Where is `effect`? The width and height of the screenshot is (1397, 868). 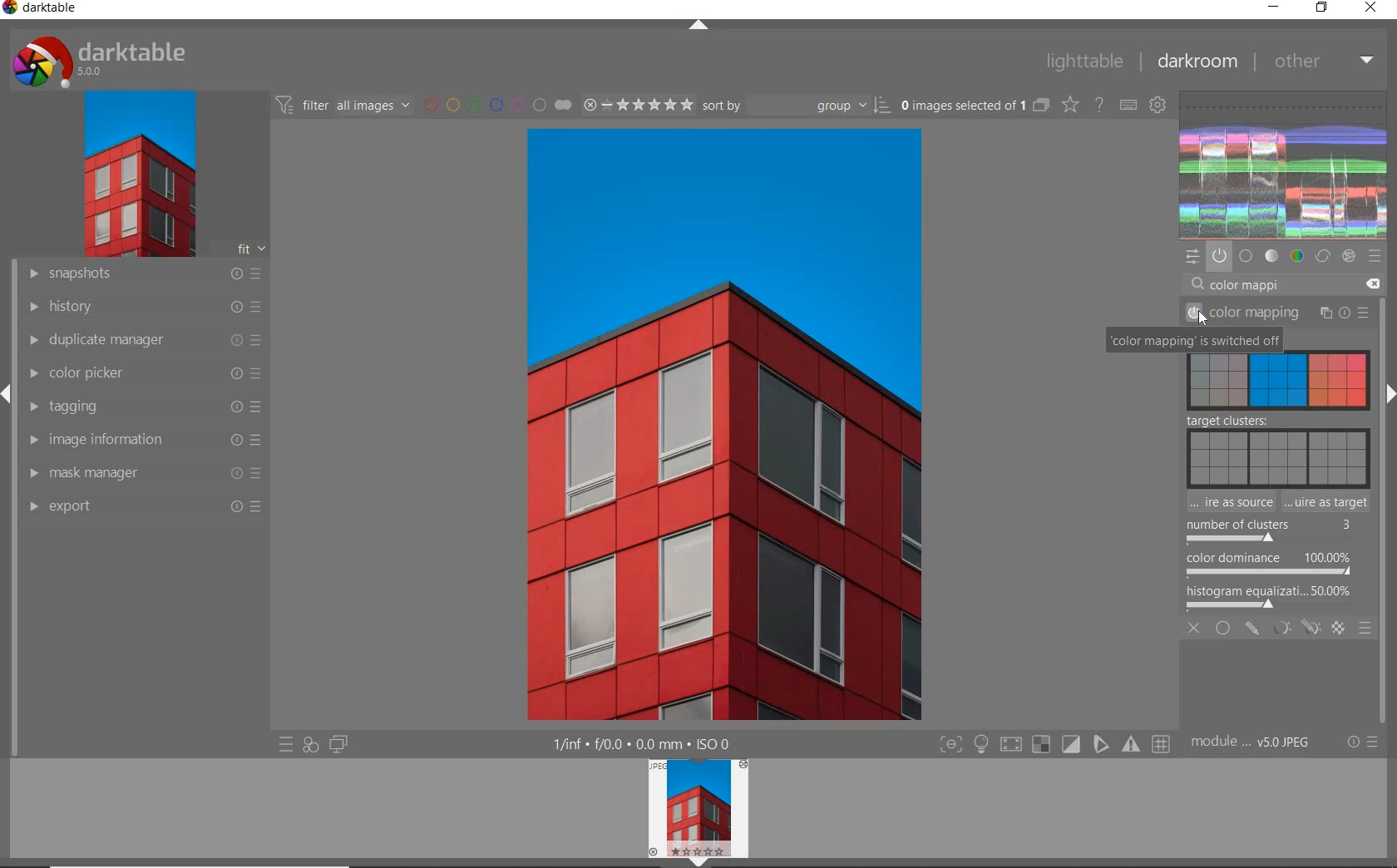
effect is located at coordinates (1348, 257).